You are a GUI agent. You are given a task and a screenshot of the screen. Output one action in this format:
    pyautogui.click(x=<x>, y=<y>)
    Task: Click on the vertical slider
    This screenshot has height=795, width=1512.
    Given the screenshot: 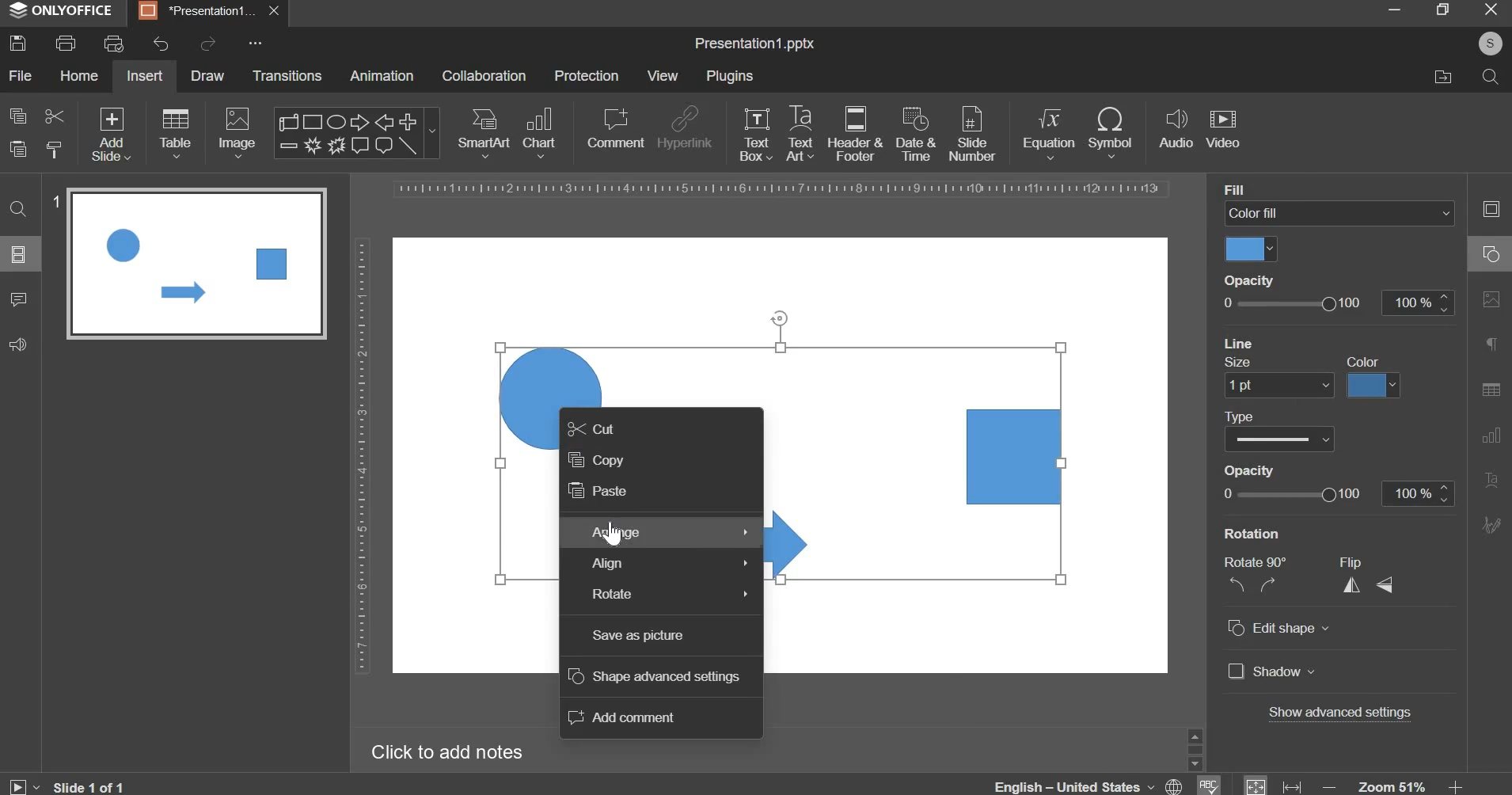 What is the action you would take?
    pyautogui.click(x=1195, y=748)
    